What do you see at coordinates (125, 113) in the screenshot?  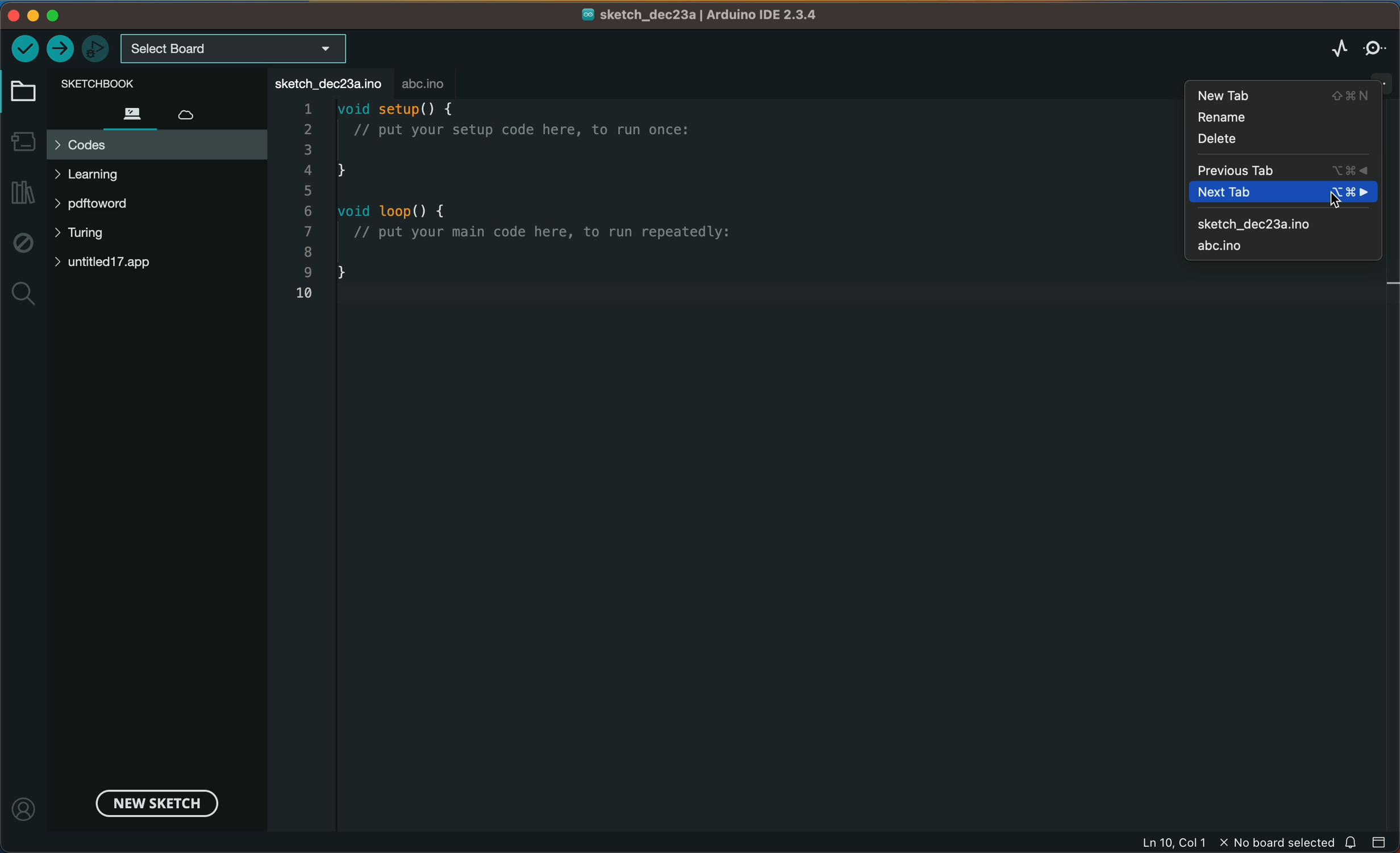 I see `files` at bounding box center [125, 113].